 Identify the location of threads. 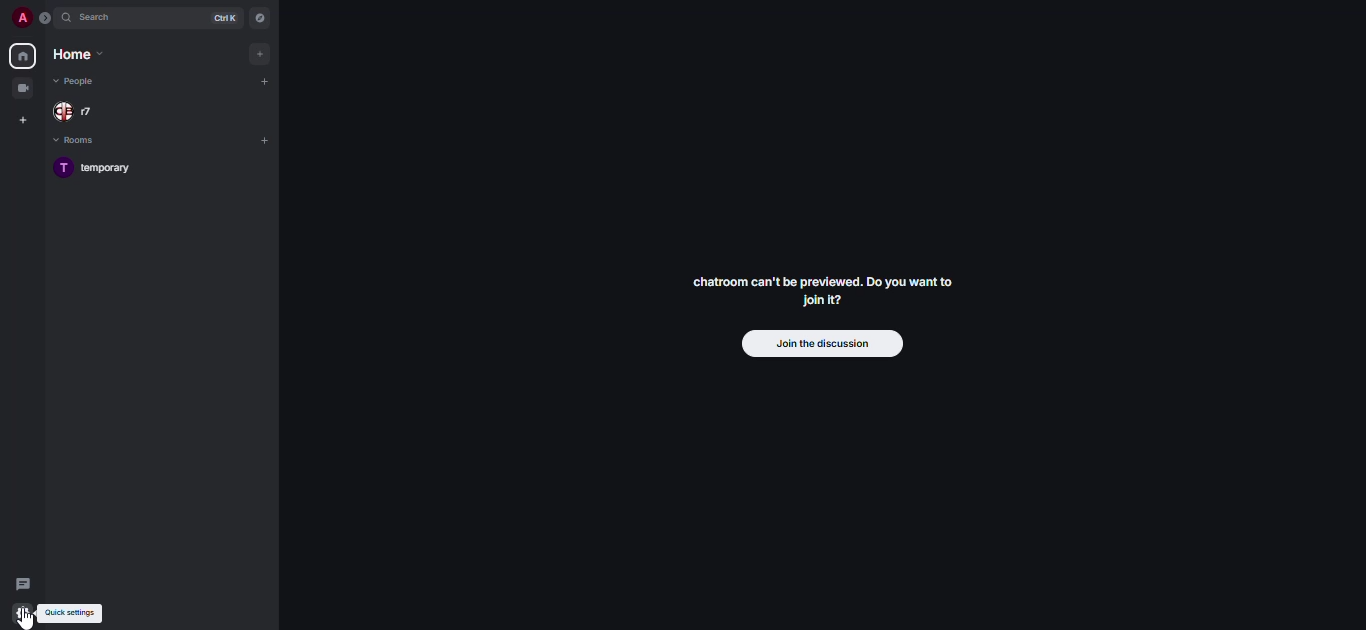
(25, 583).